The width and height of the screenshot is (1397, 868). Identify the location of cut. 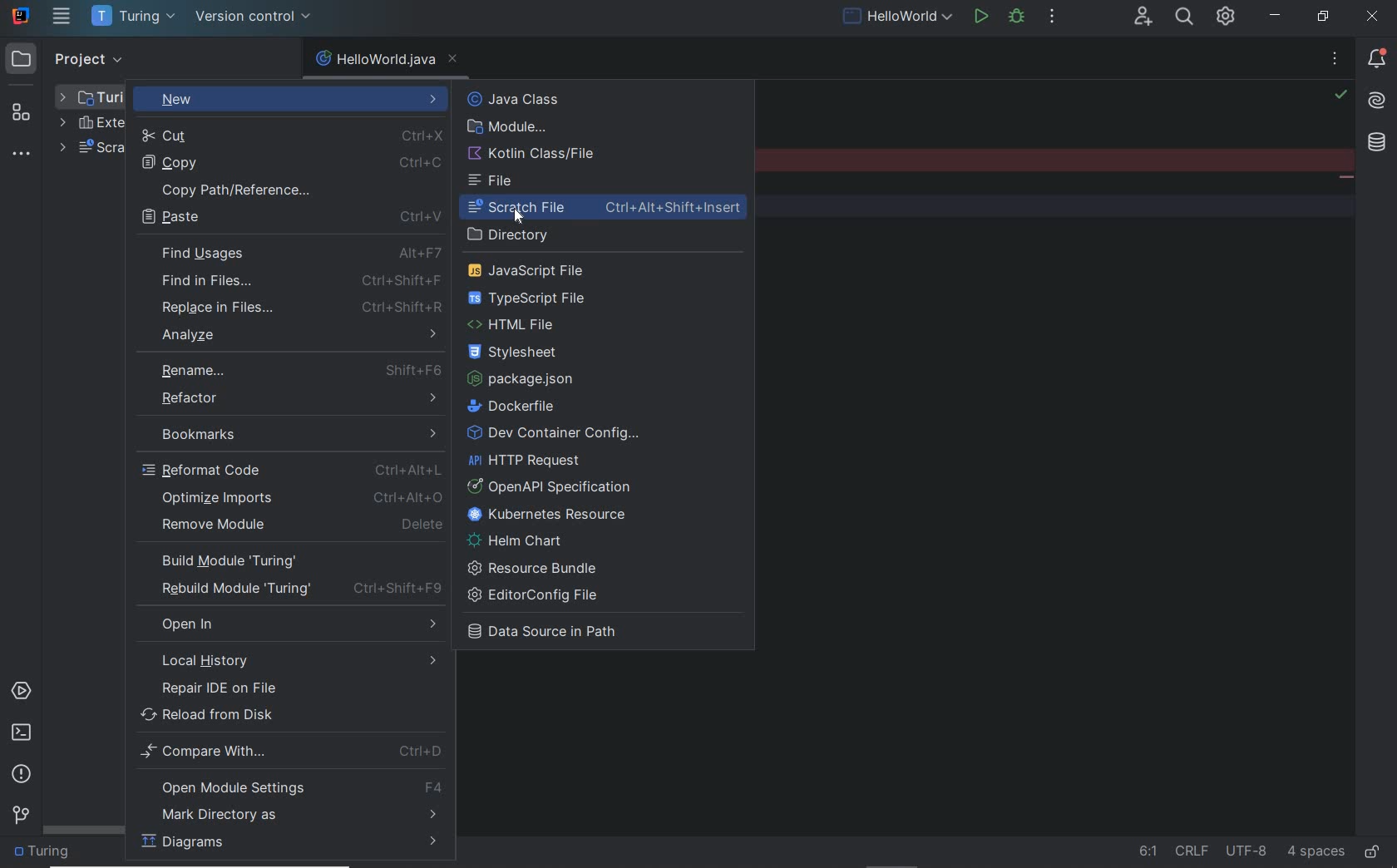
(289, 136).